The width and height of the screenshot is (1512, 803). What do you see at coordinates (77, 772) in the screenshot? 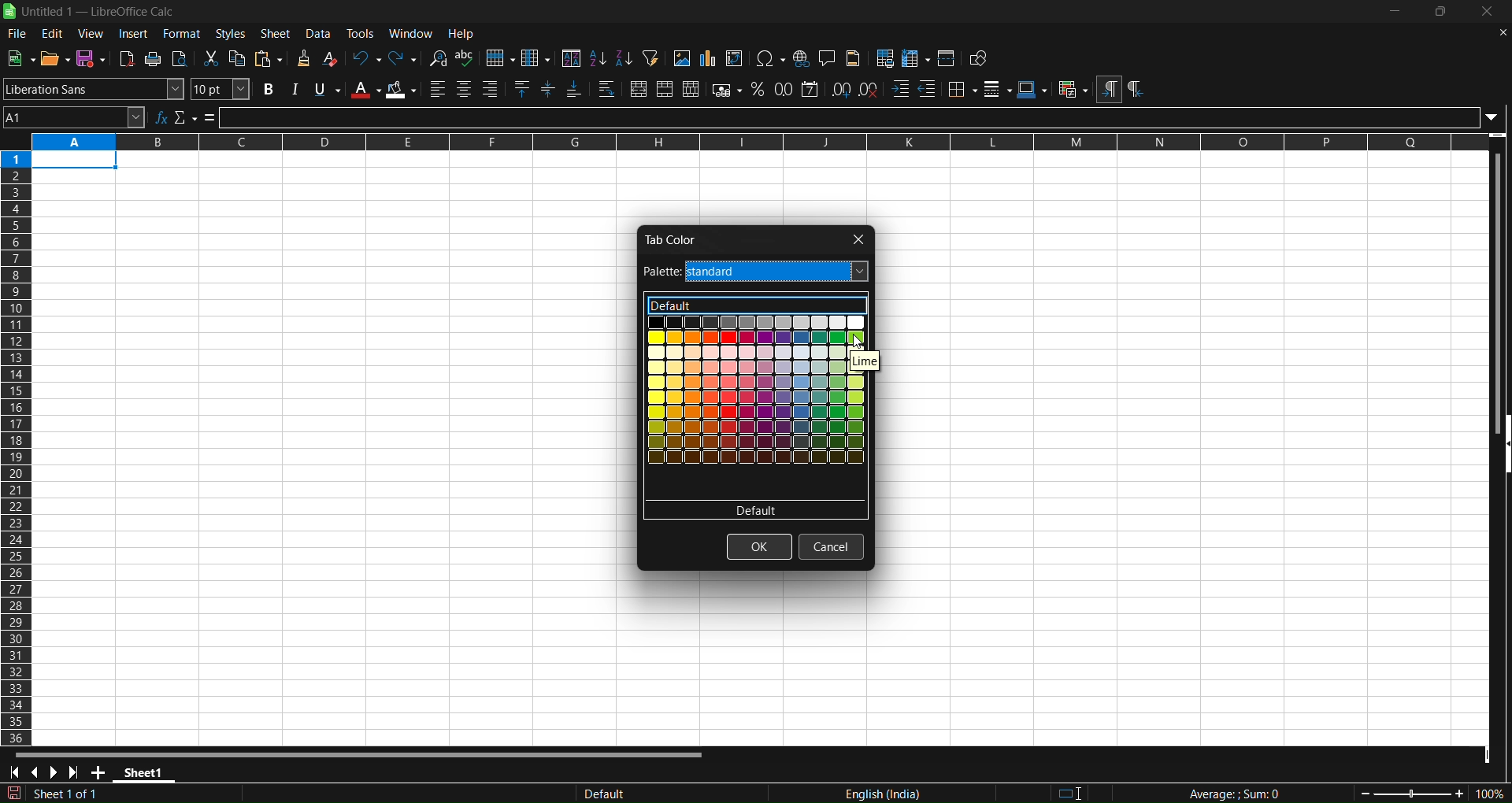
I see `scroll to last sheet` at bounding box center [77, 772].